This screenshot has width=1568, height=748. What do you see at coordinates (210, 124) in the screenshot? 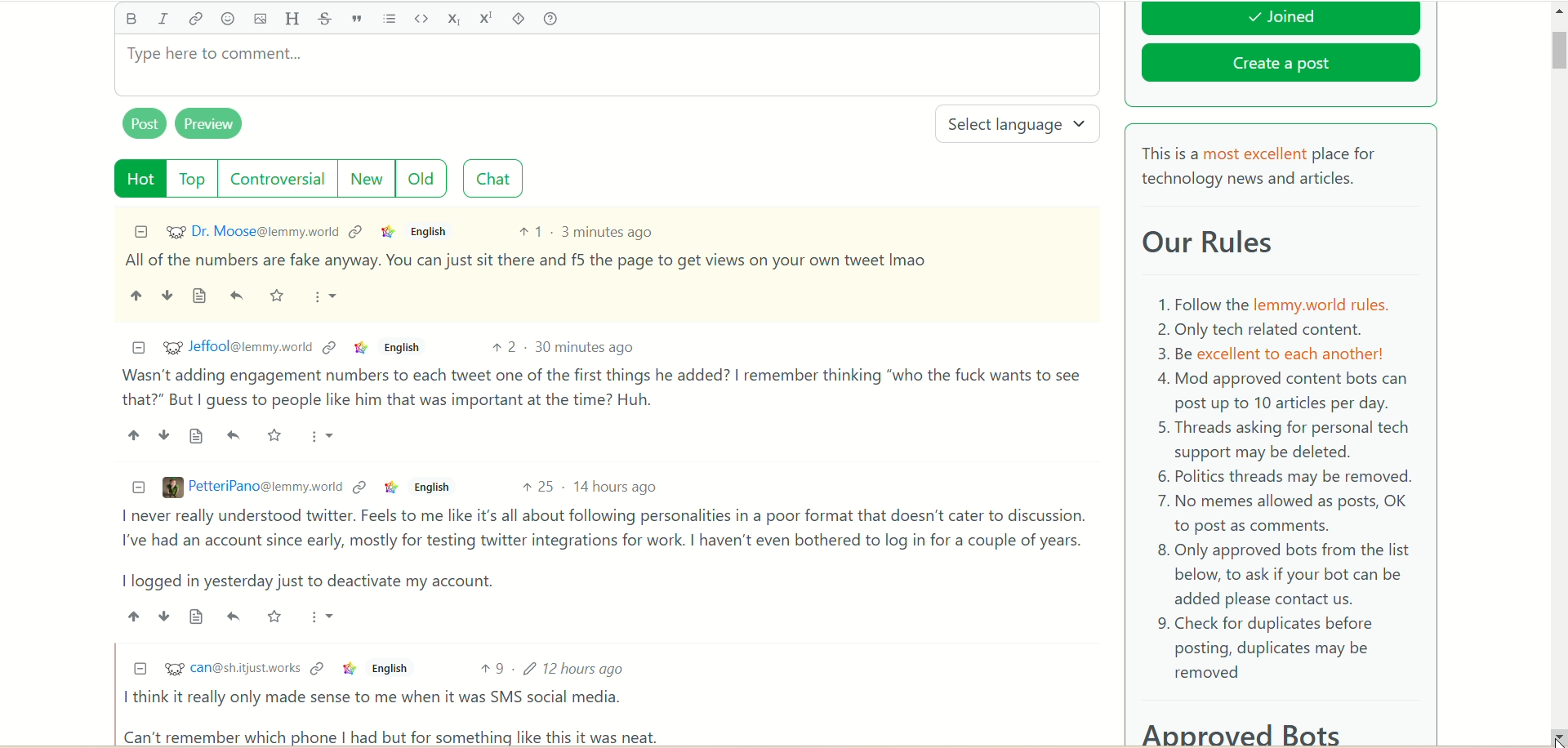
I see `preview` at bounding box center [210, 124].